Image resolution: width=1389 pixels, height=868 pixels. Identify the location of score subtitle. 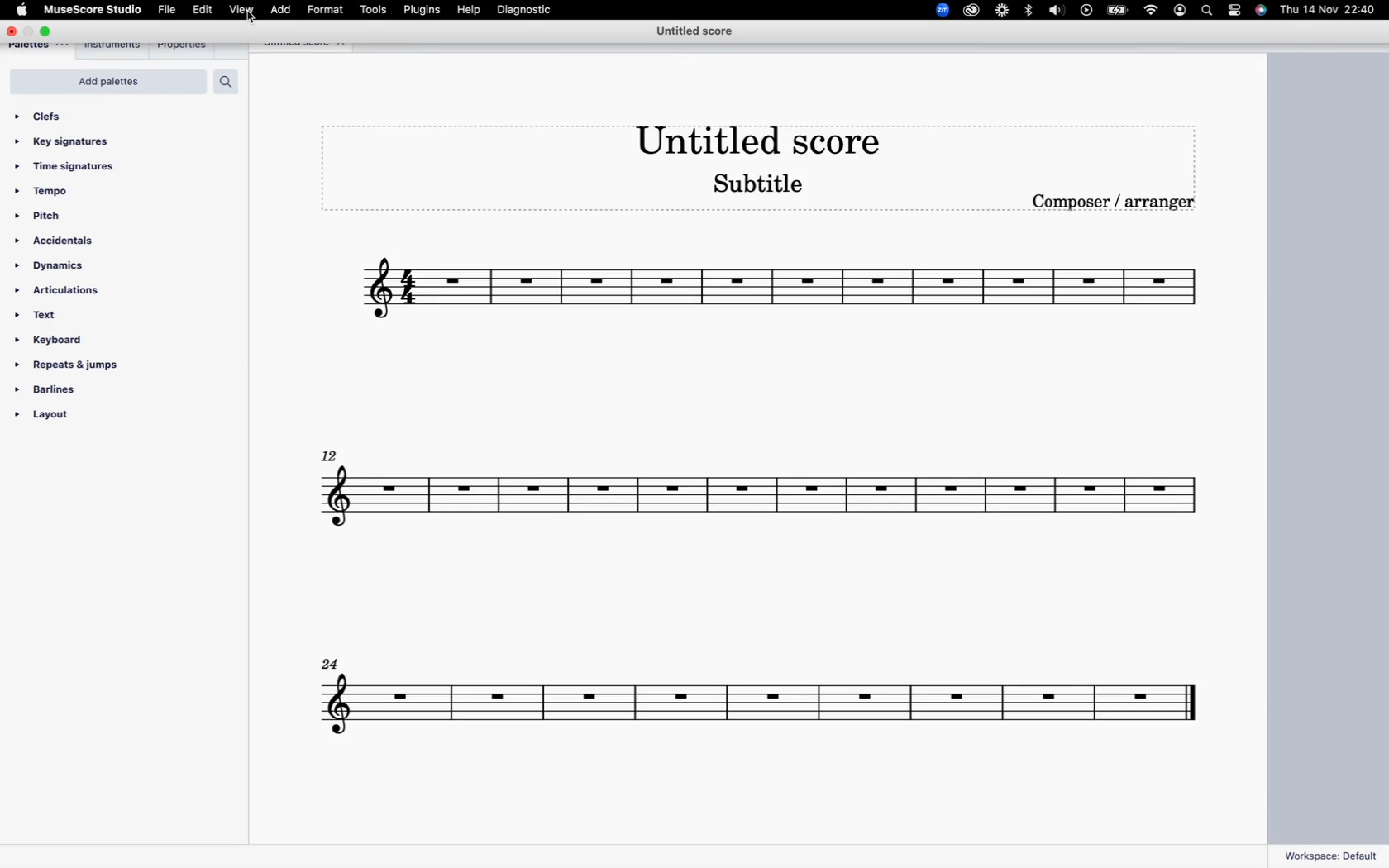
(765, 188).